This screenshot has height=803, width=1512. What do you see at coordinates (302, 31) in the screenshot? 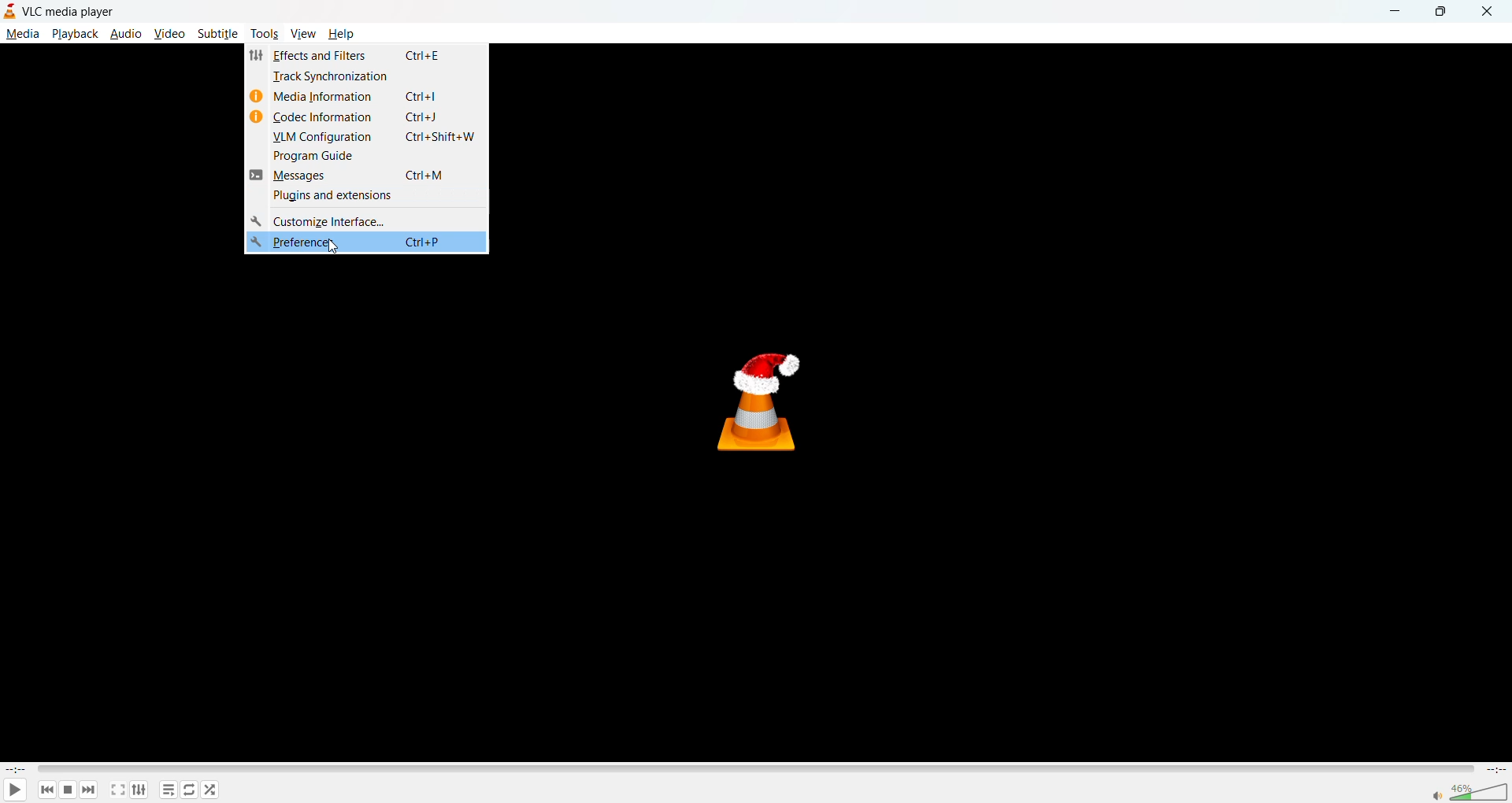
I see `view` at bounding box center [302, 31].